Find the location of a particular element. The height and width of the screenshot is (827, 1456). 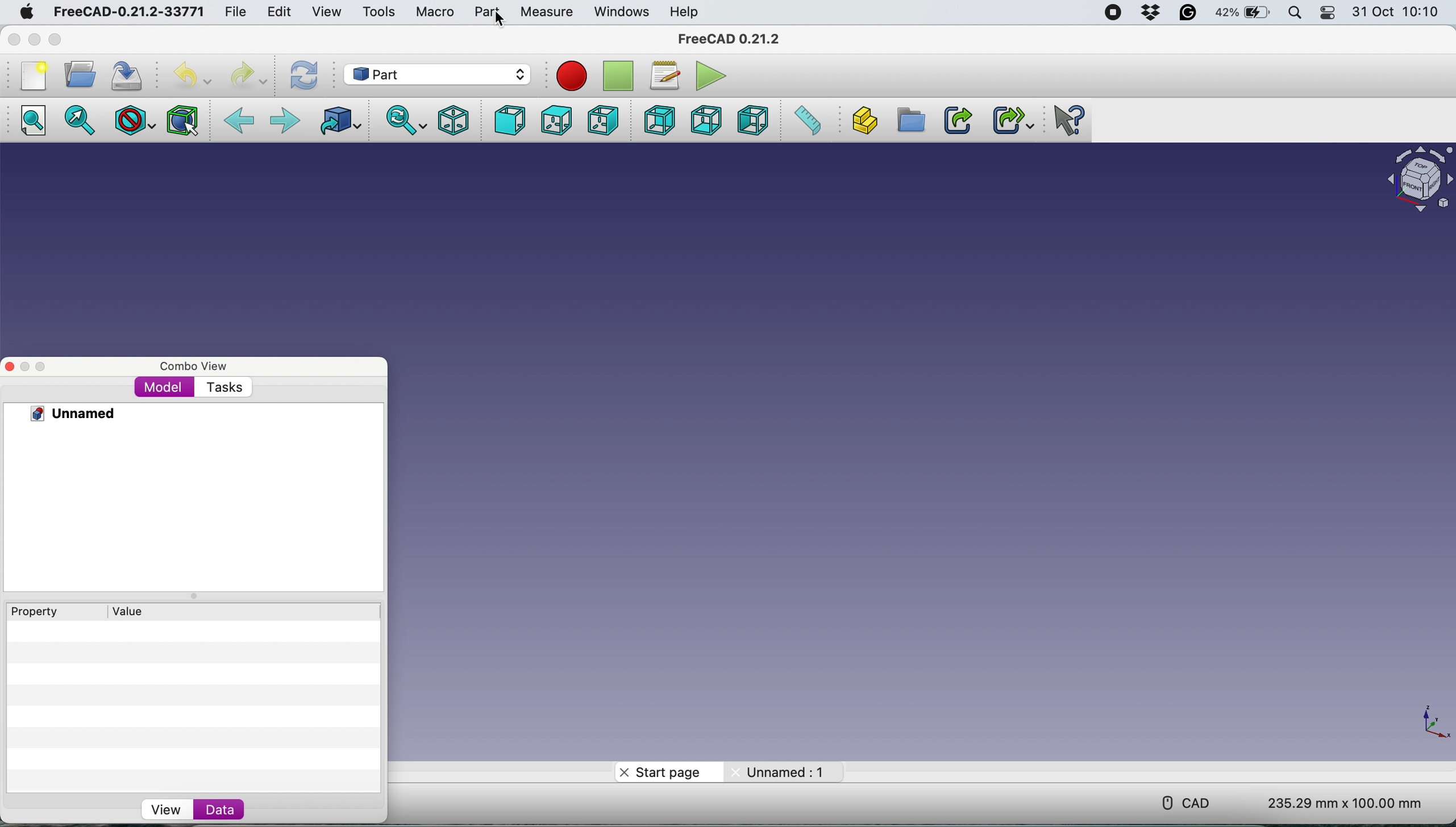

Maximize is located at coordinates (54, 40).